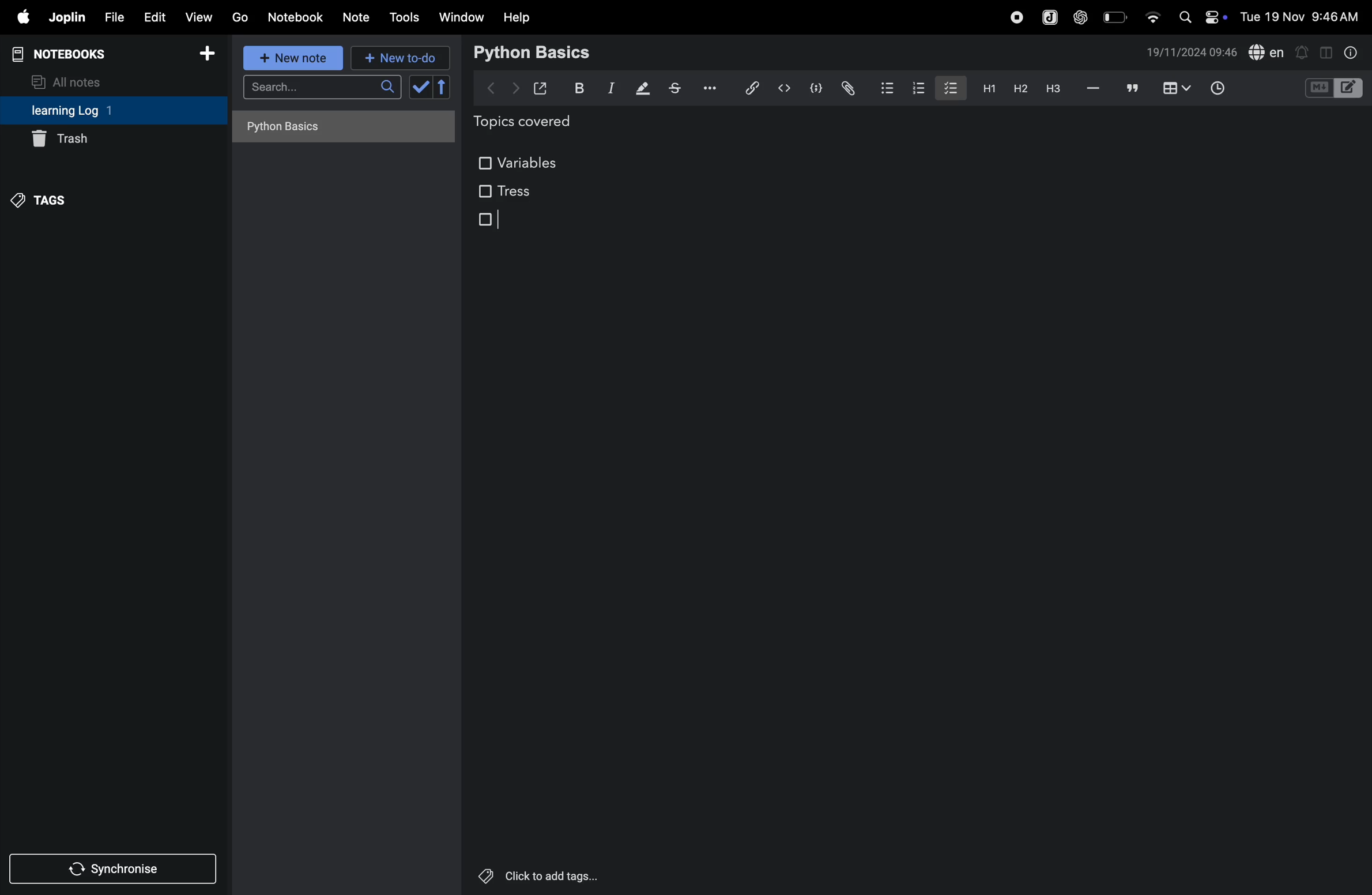 This screenshot has height=895, width=1372. What do you see at coordinates (986, 88) in the screenshot?
I see `h1` at bounding box center [986, 88].